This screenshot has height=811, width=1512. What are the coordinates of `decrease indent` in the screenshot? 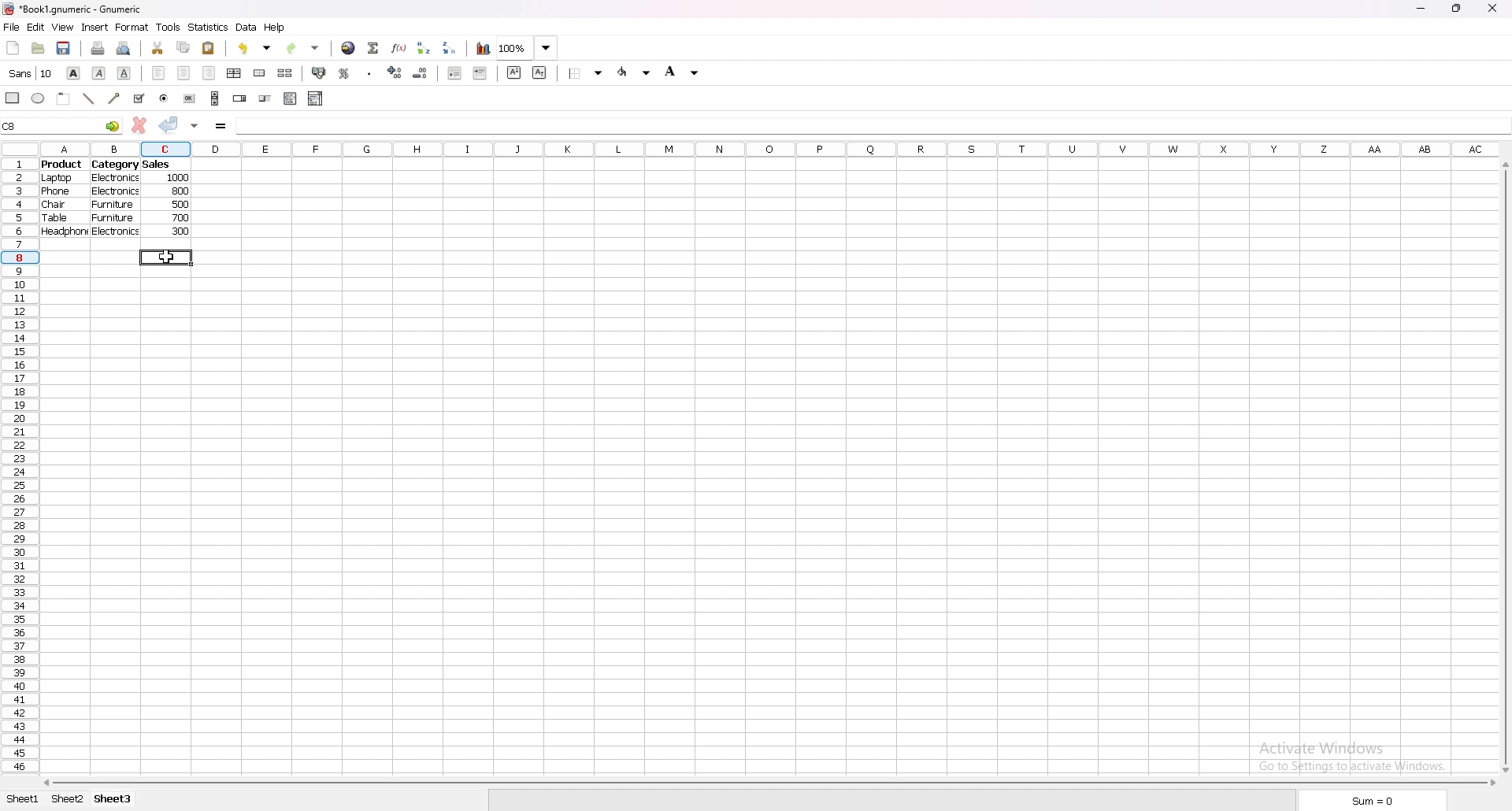 It's located at (454, 73).